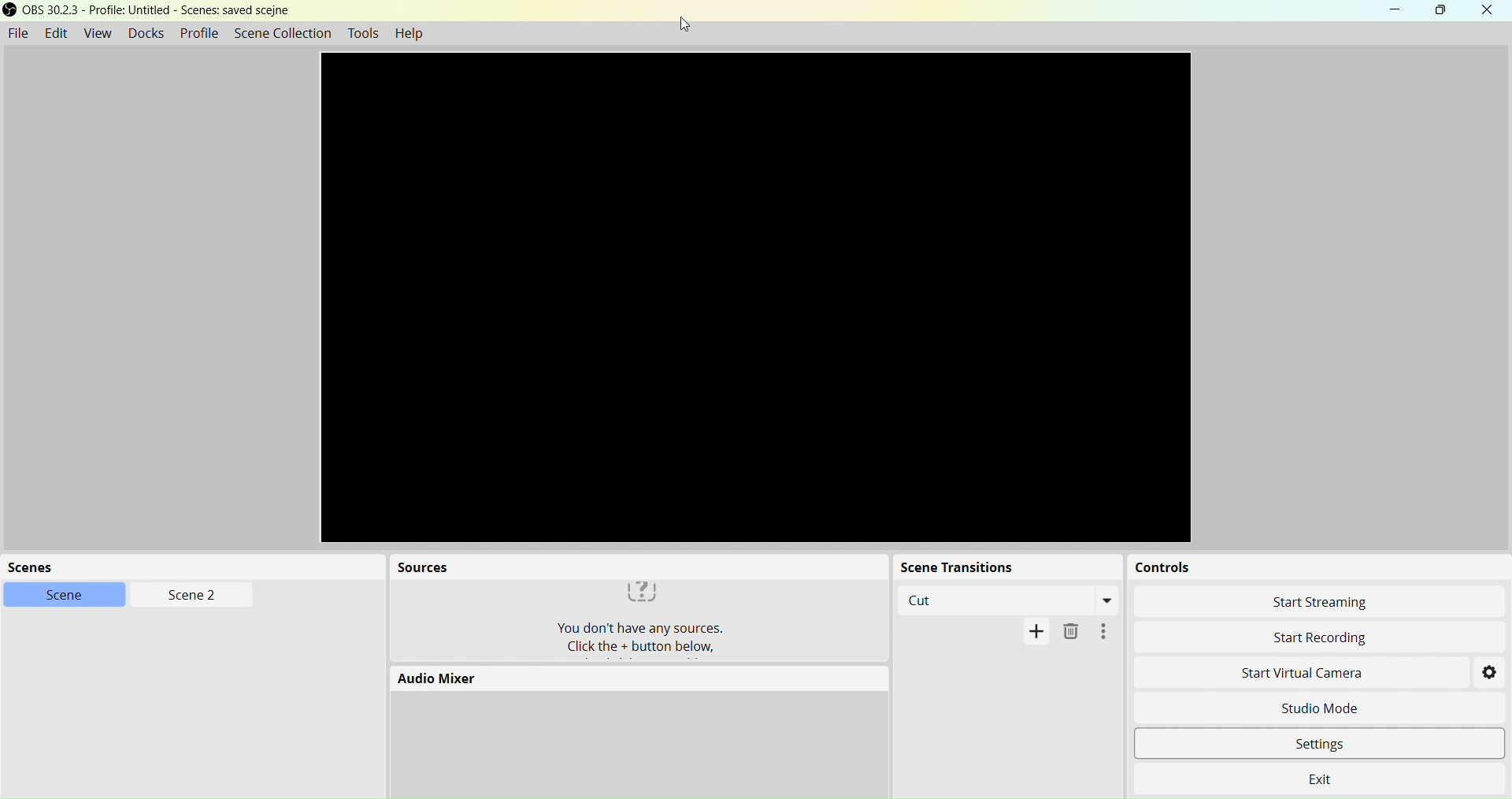  Describe the element at coordinates (634, 566) in the screenshot. I see `Sources` at that location.